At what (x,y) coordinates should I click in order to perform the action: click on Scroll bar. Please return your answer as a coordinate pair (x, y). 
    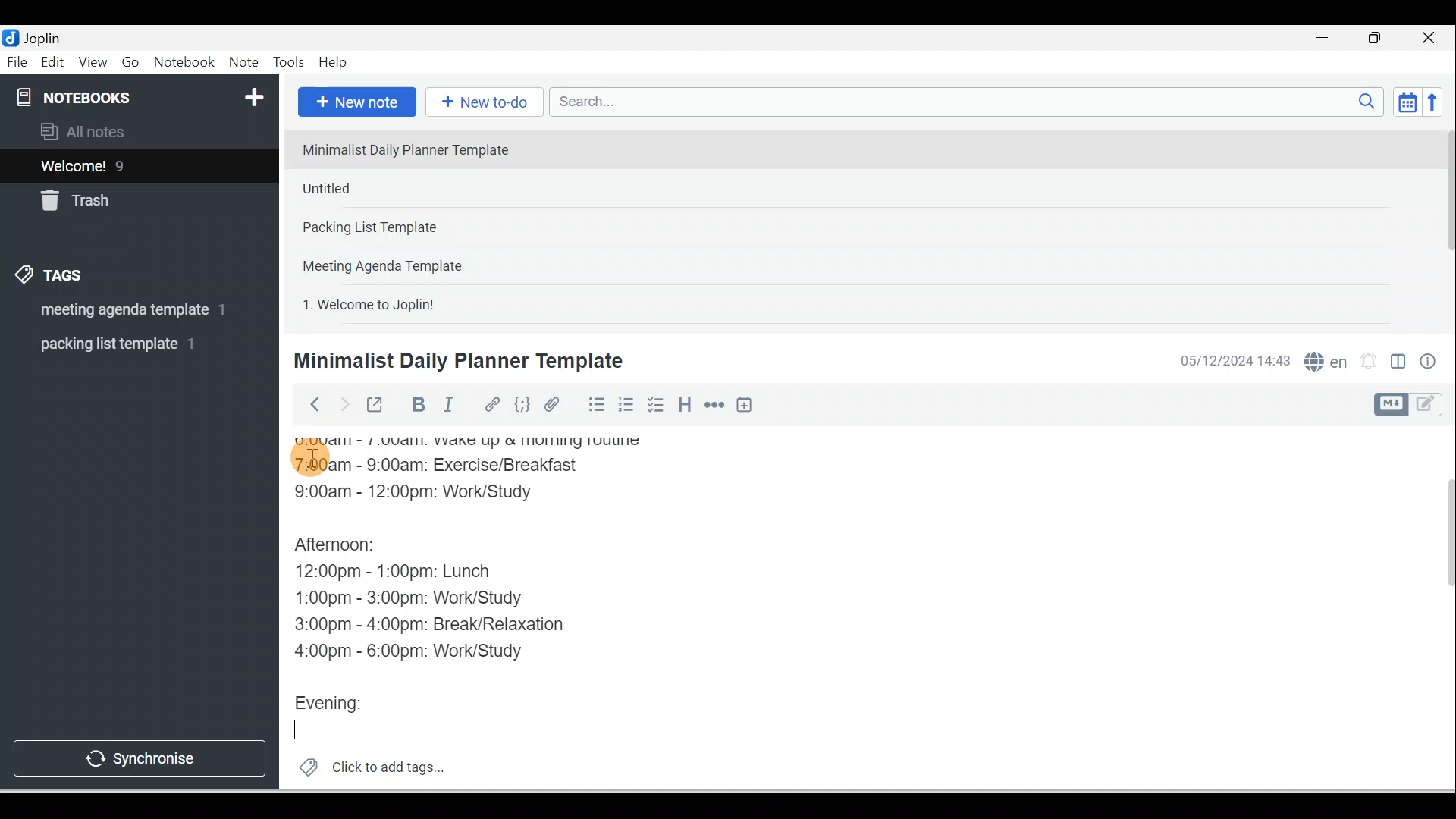
    Looking at the image, I should click on (1439, 608).